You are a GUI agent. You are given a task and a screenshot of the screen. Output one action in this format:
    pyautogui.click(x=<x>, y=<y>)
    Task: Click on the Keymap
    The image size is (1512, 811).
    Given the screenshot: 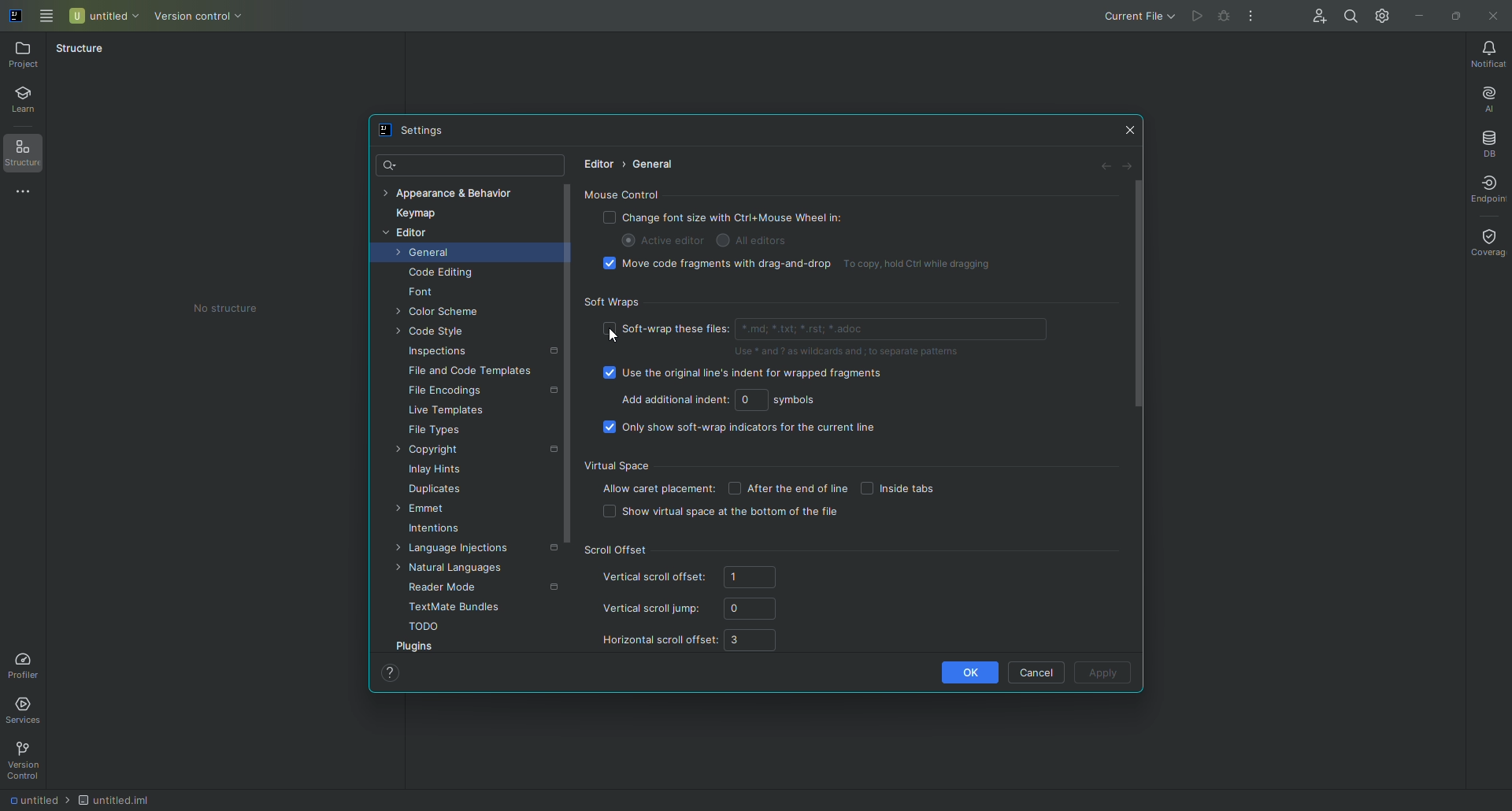 What is the action you would take?
    pyautogui.click(x=415, y=217)
    